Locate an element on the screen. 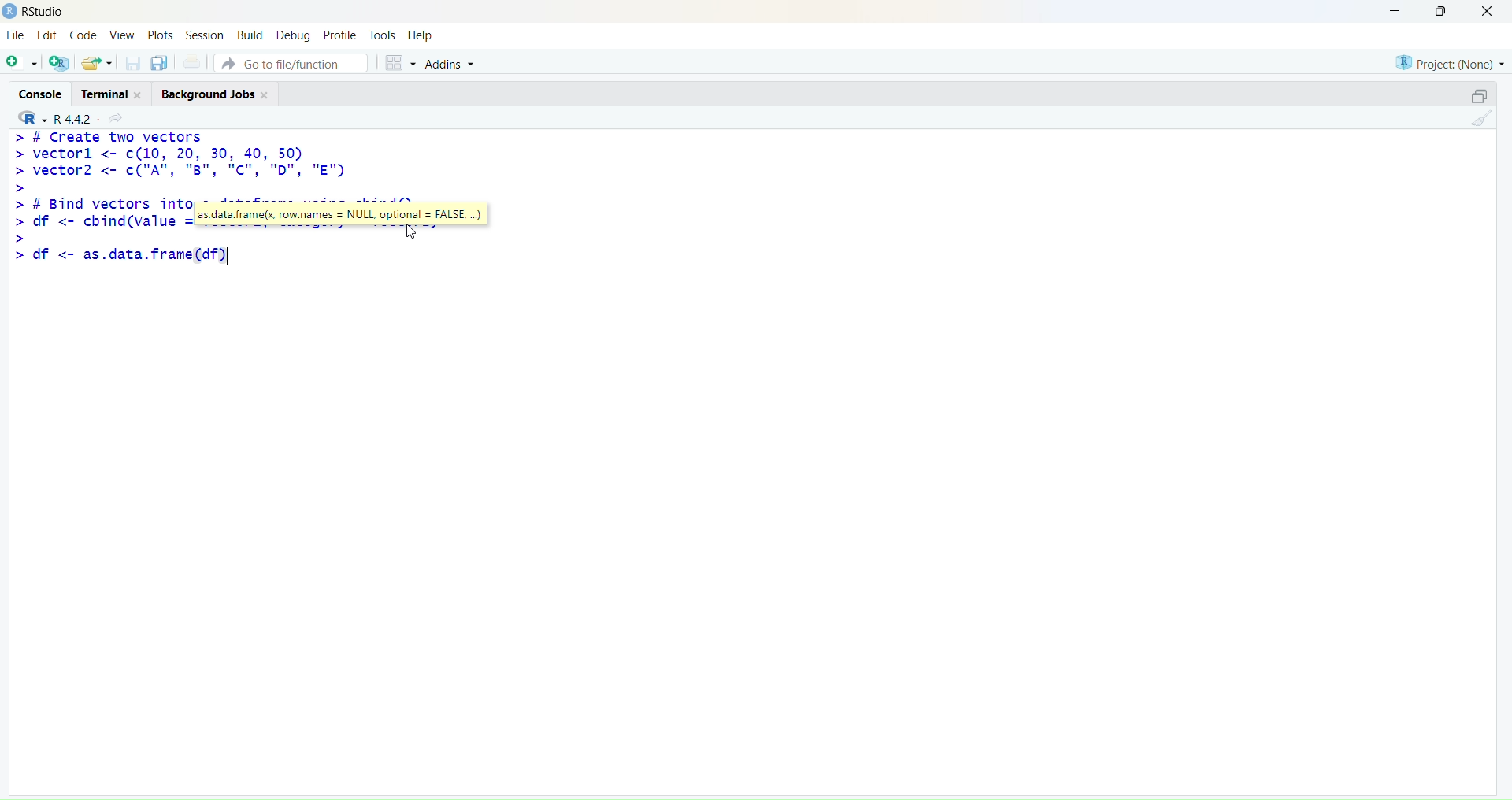 The height and width of the screenshot is (800, 1512). Addins is located at coordinates (449, 64).